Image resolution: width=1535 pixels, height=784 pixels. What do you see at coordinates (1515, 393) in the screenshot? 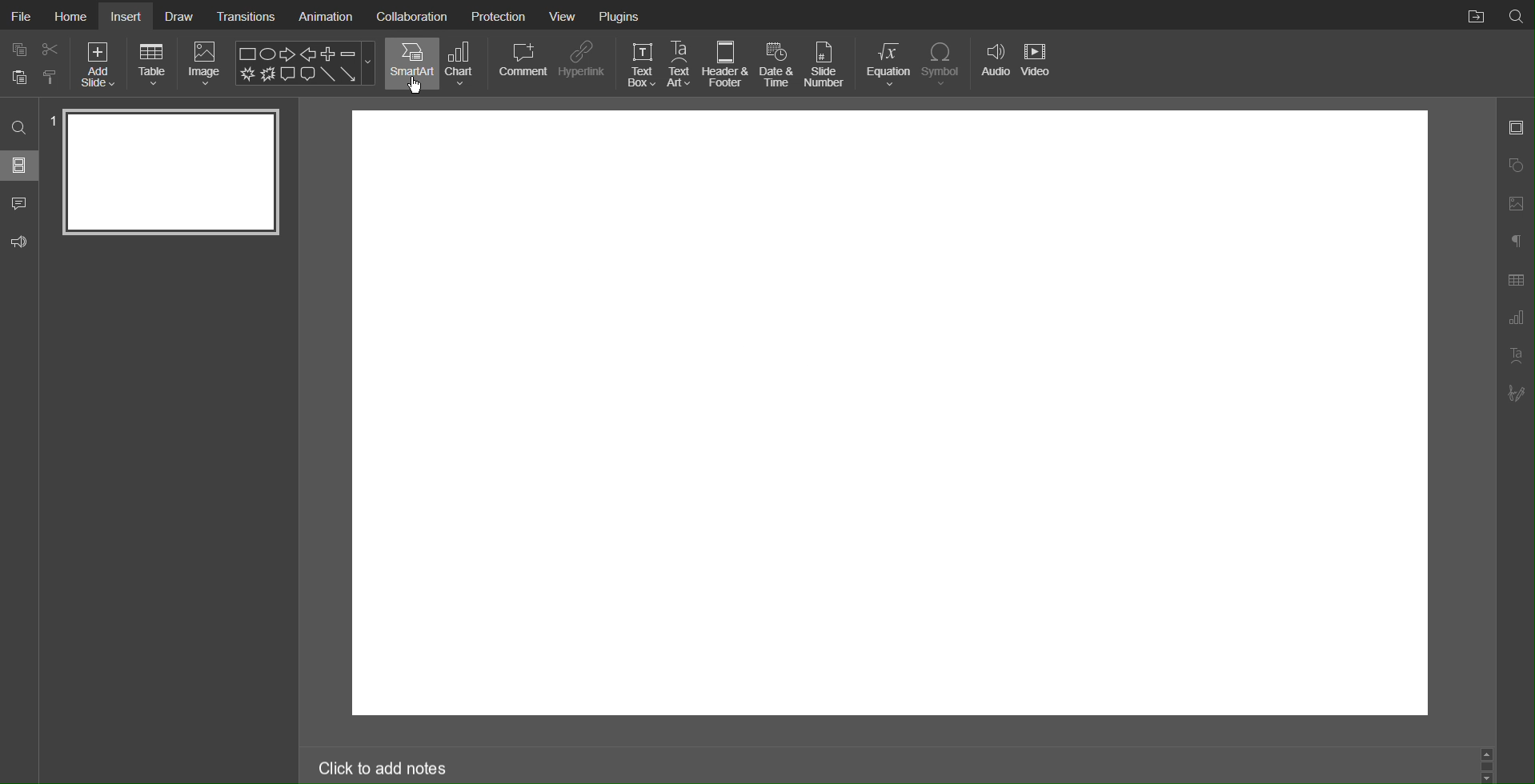
I see `Signature` at bounding box center [1515, 393].